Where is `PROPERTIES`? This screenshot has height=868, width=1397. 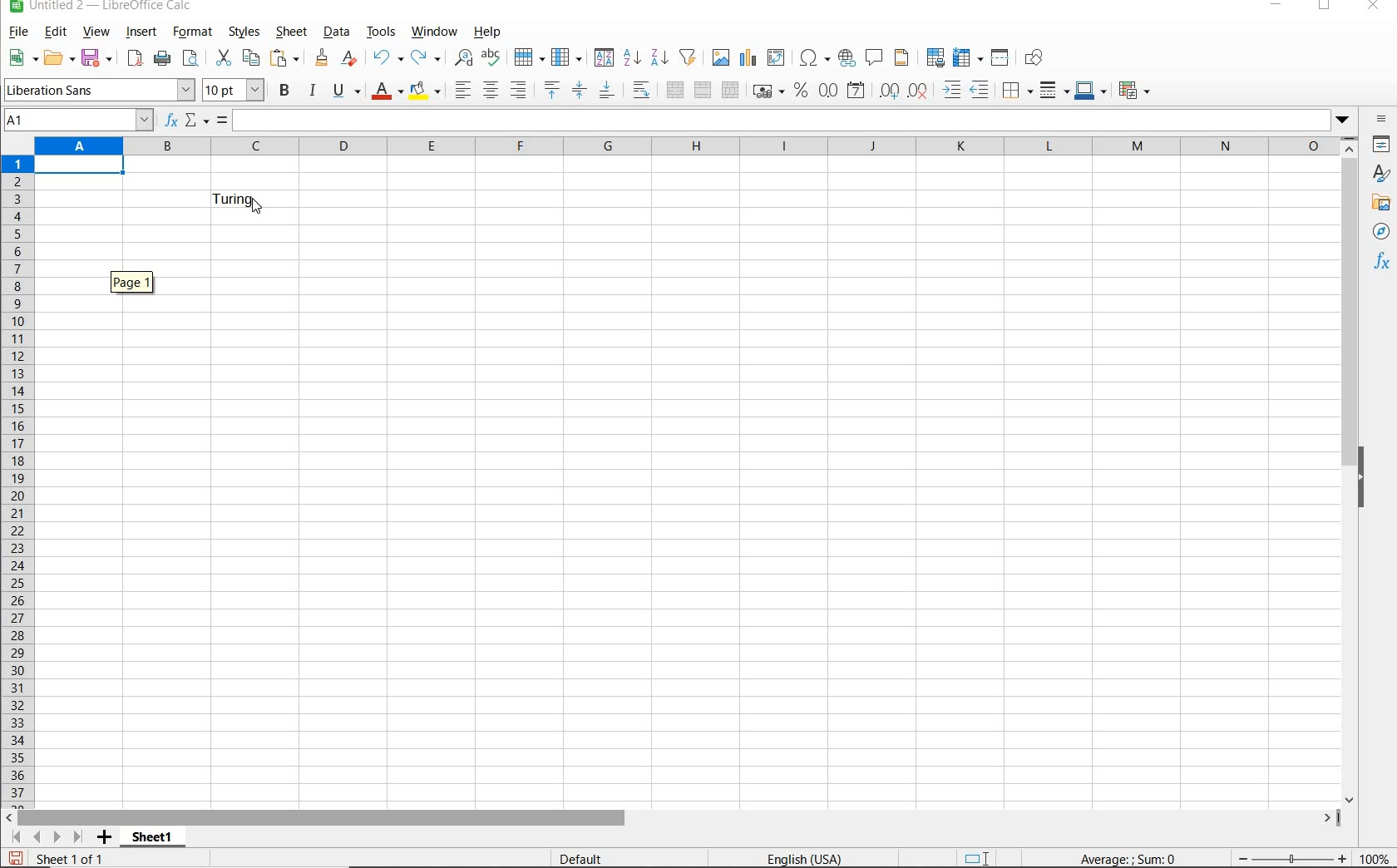
PROPERTIES is located at coordinates (1382, 145).